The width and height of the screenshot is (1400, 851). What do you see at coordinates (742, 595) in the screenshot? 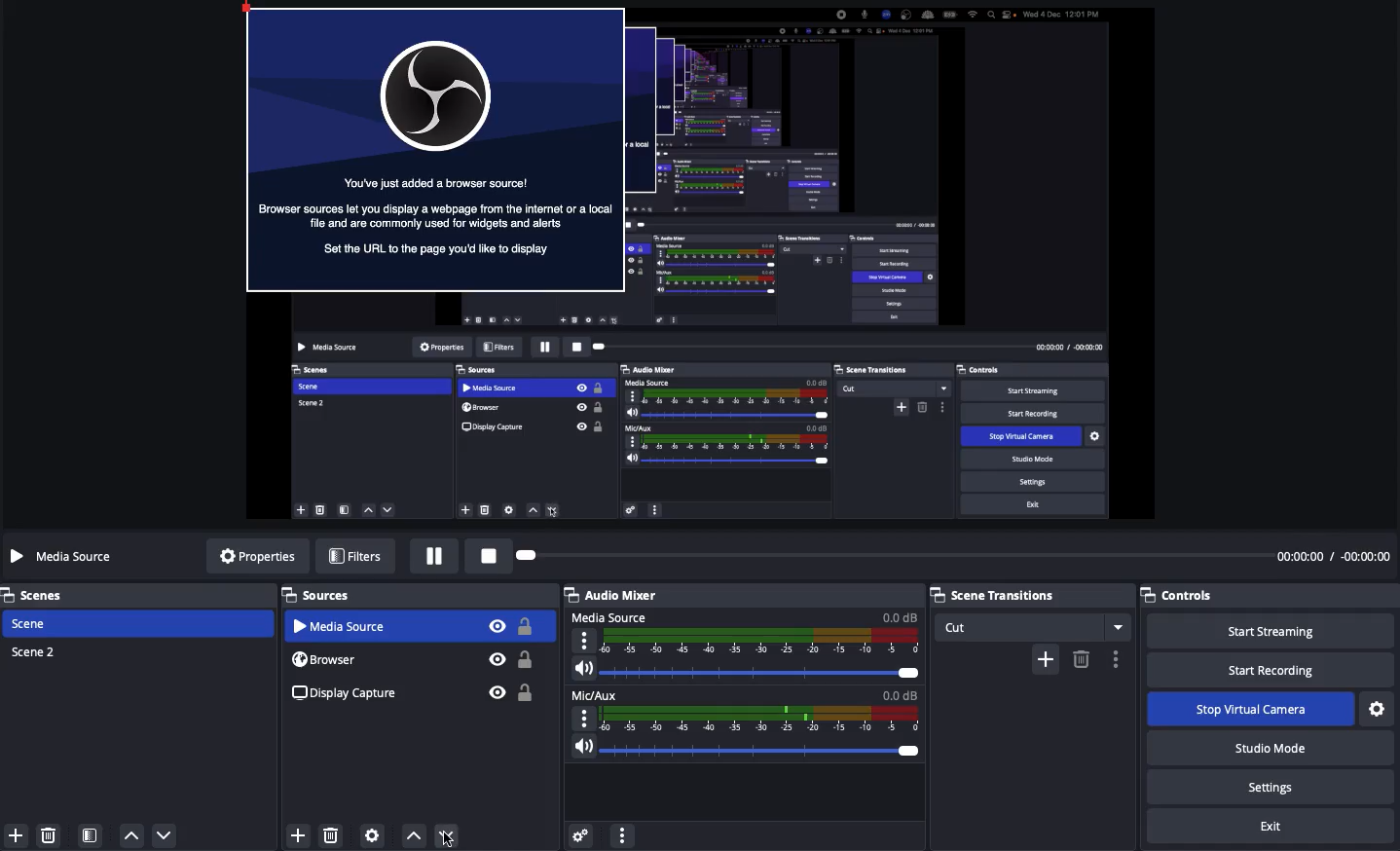
I see `Audio mixer` at bounding box center [742, 595].